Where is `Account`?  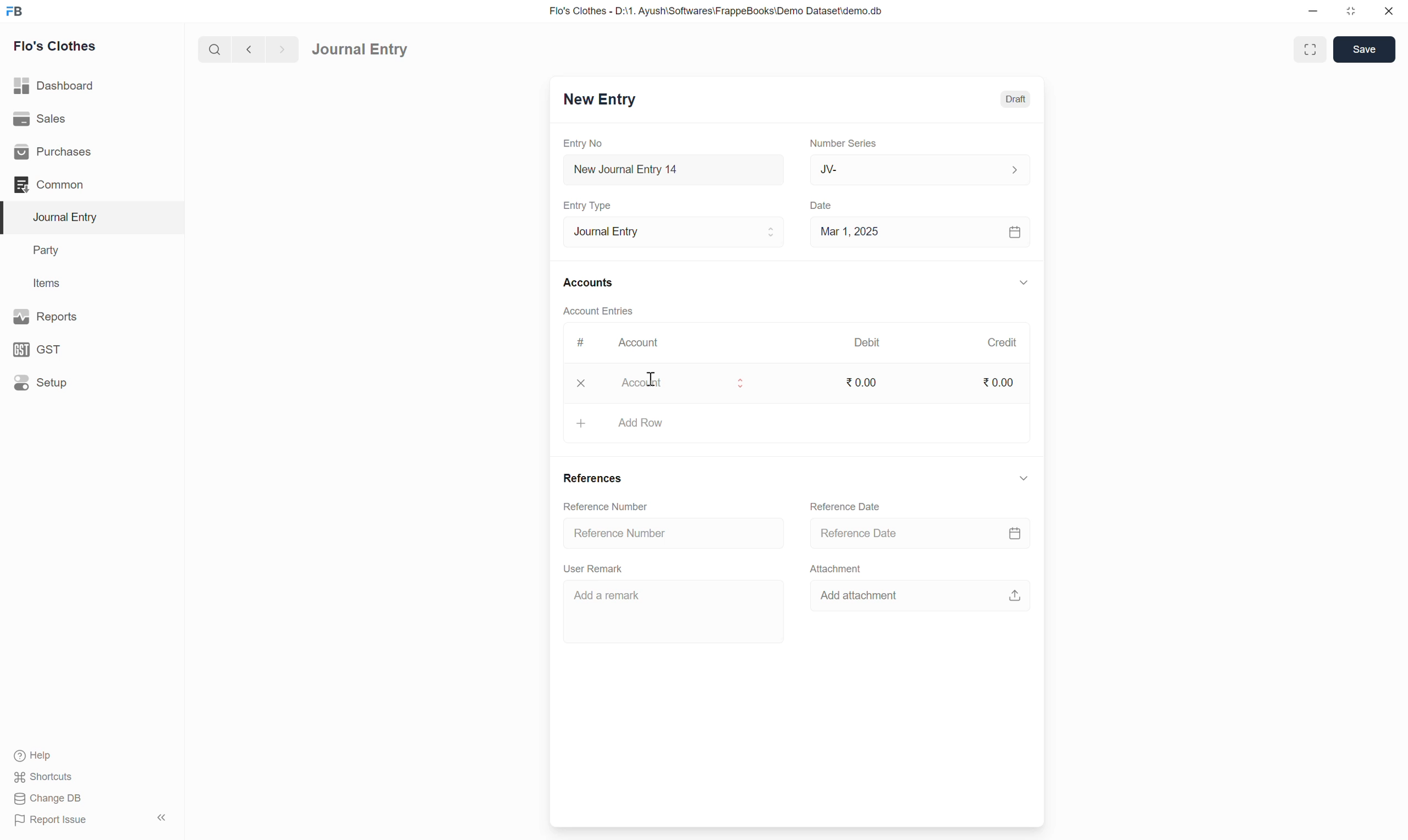 Account is located at coordinates (640, 342).